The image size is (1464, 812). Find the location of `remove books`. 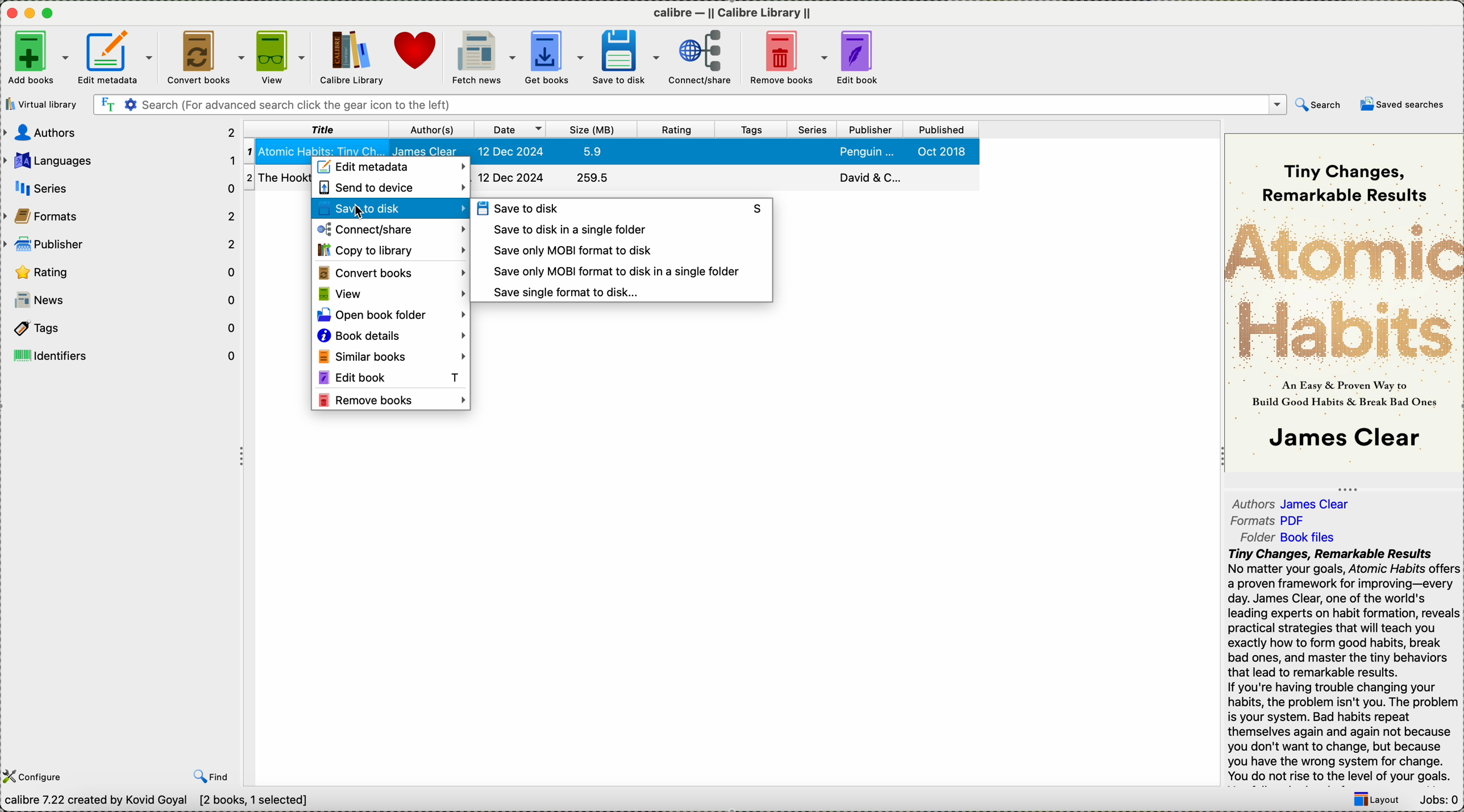

remove books is located at coordinates (393, 398).